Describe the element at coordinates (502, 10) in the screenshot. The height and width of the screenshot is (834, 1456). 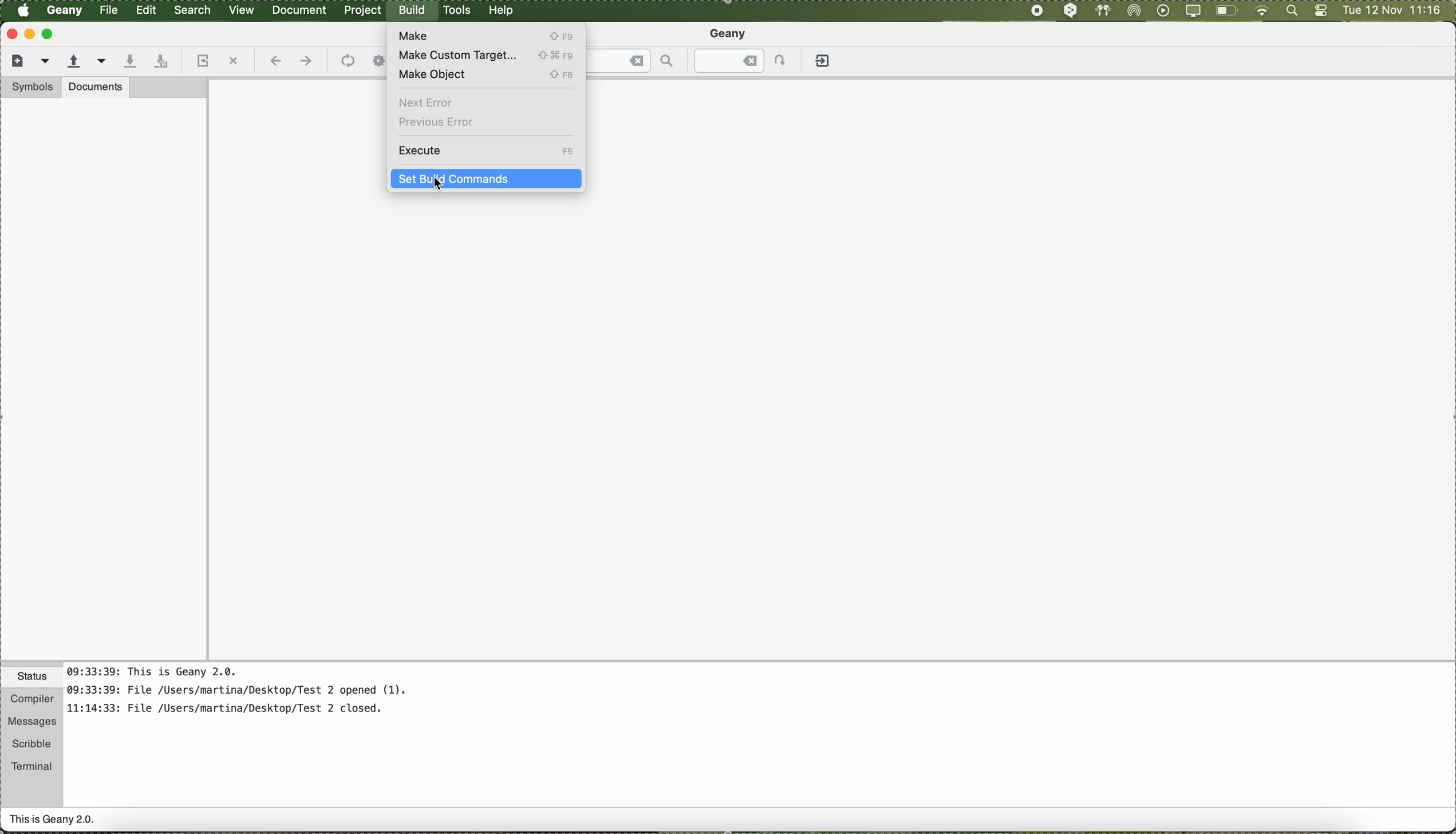
I see `help` at that location.